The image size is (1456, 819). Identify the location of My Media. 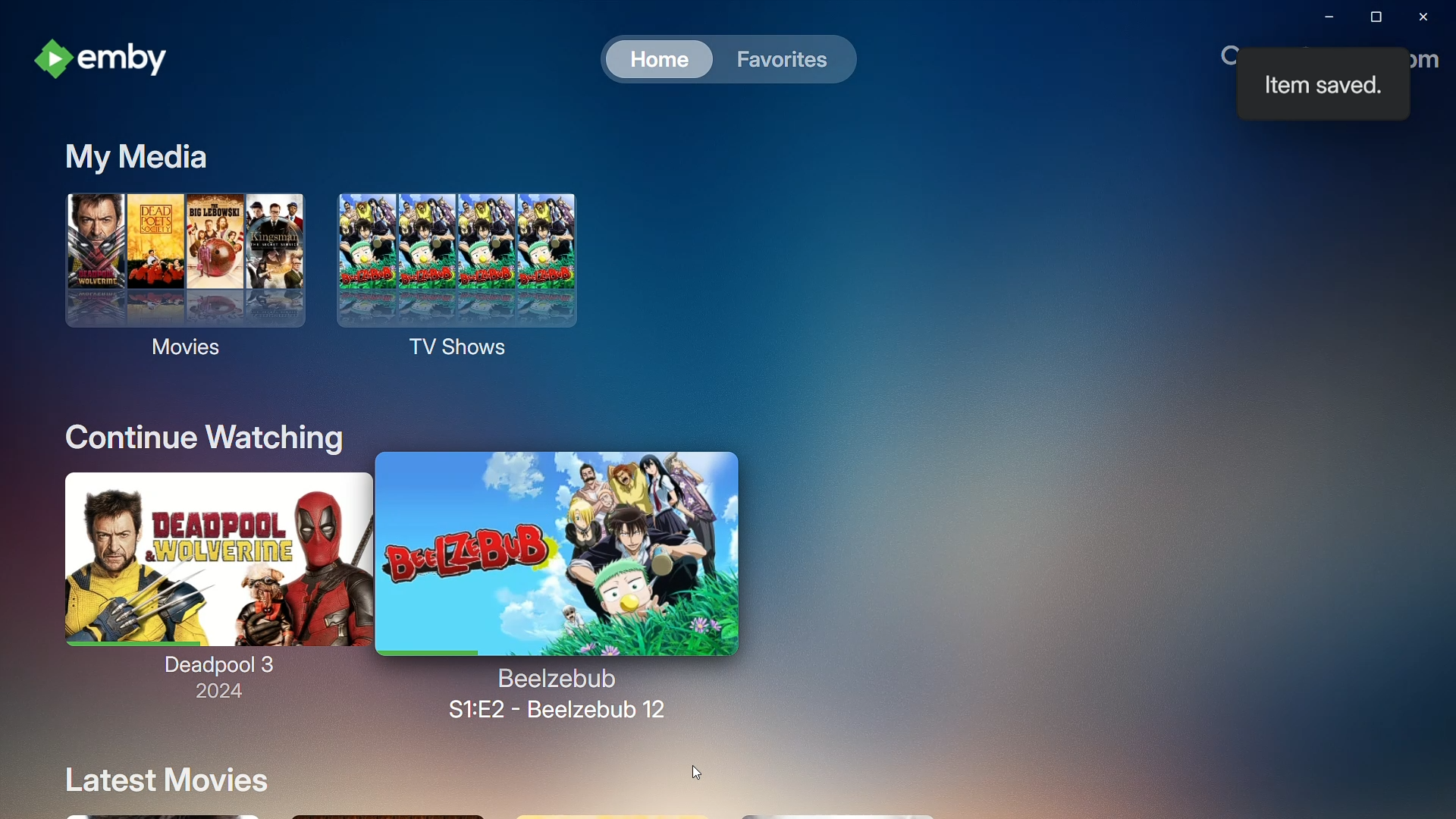
(143, 154).